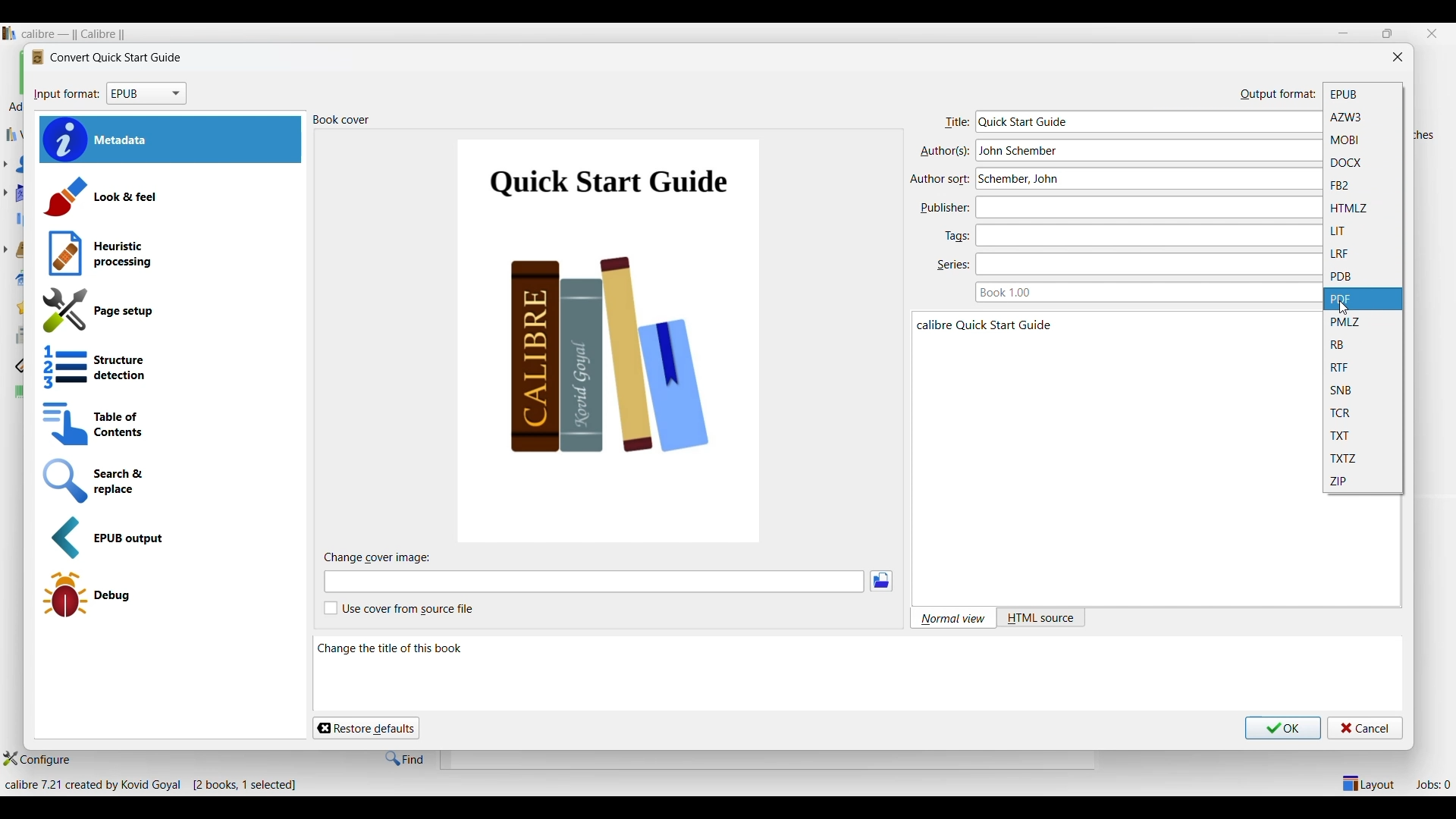  Describe the element at coordinates (1363, 94) in the screenshot. I see `EPUB` at that location.